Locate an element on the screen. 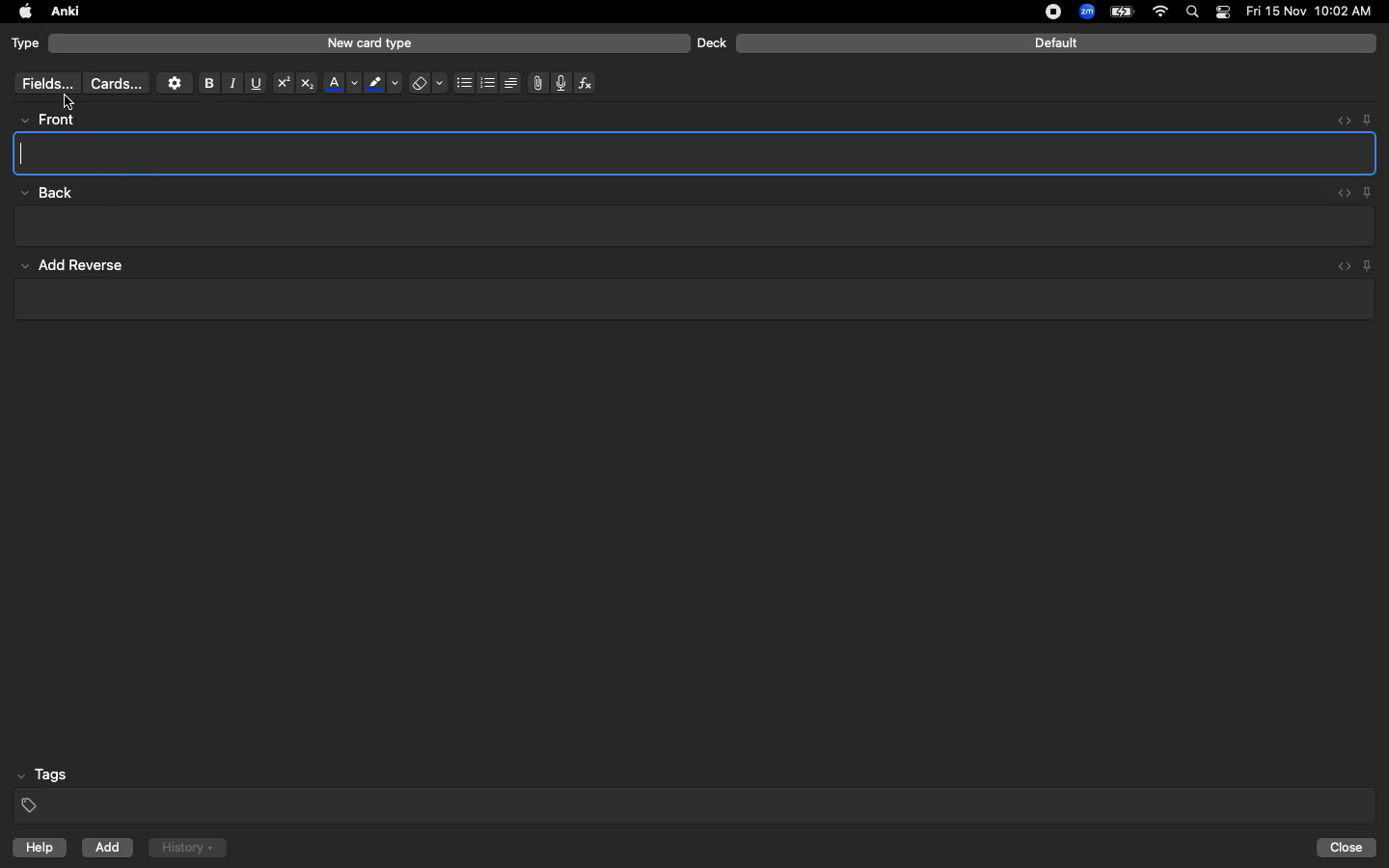 Image resolution: width=1389 pixels, height=868 pixels. Bold is located at coordinates (207, 82).